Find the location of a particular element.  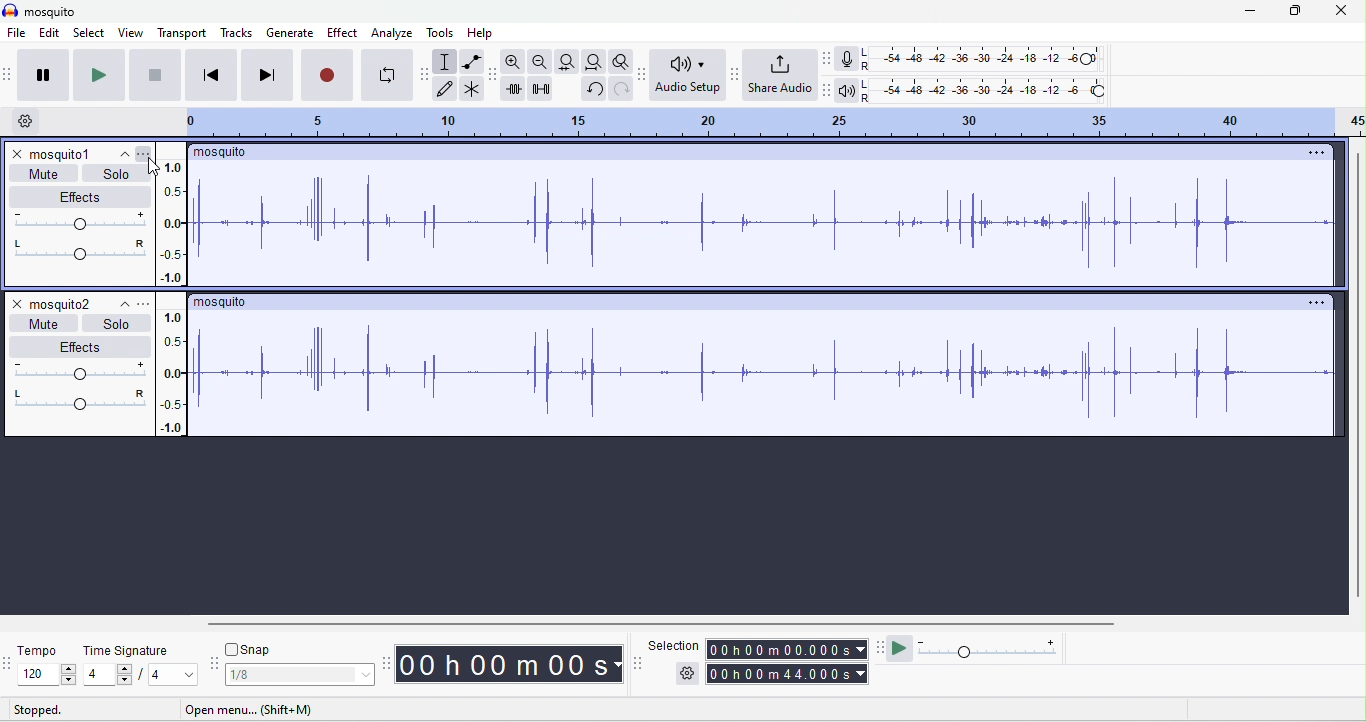

amplitude is located at coordinates (173, 290).